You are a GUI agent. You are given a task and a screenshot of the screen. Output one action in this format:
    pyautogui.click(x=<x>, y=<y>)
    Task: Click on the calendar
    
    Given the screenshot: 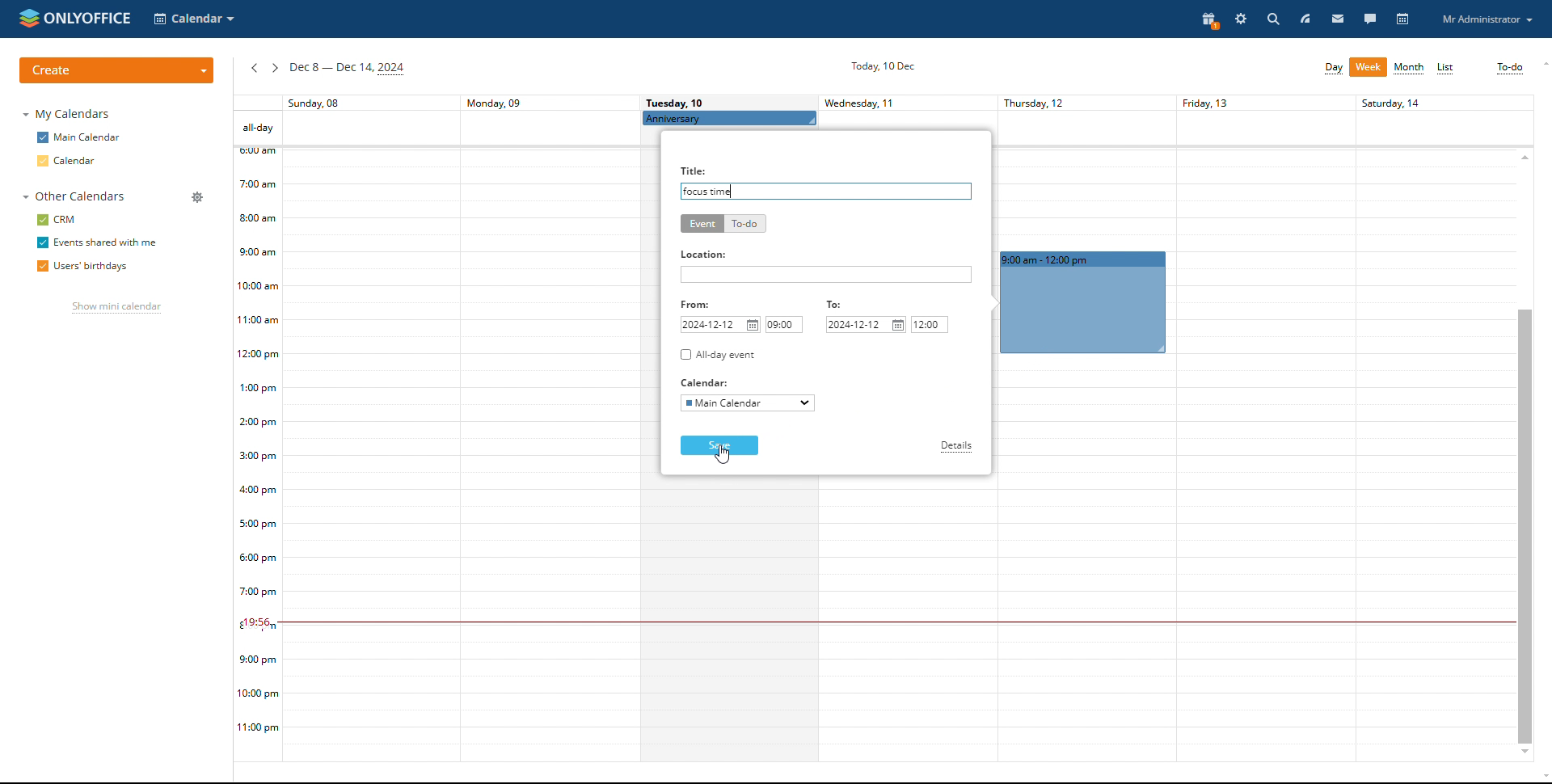 What is the action you would take?
    pyautogui.click(x=78, y=161)
    